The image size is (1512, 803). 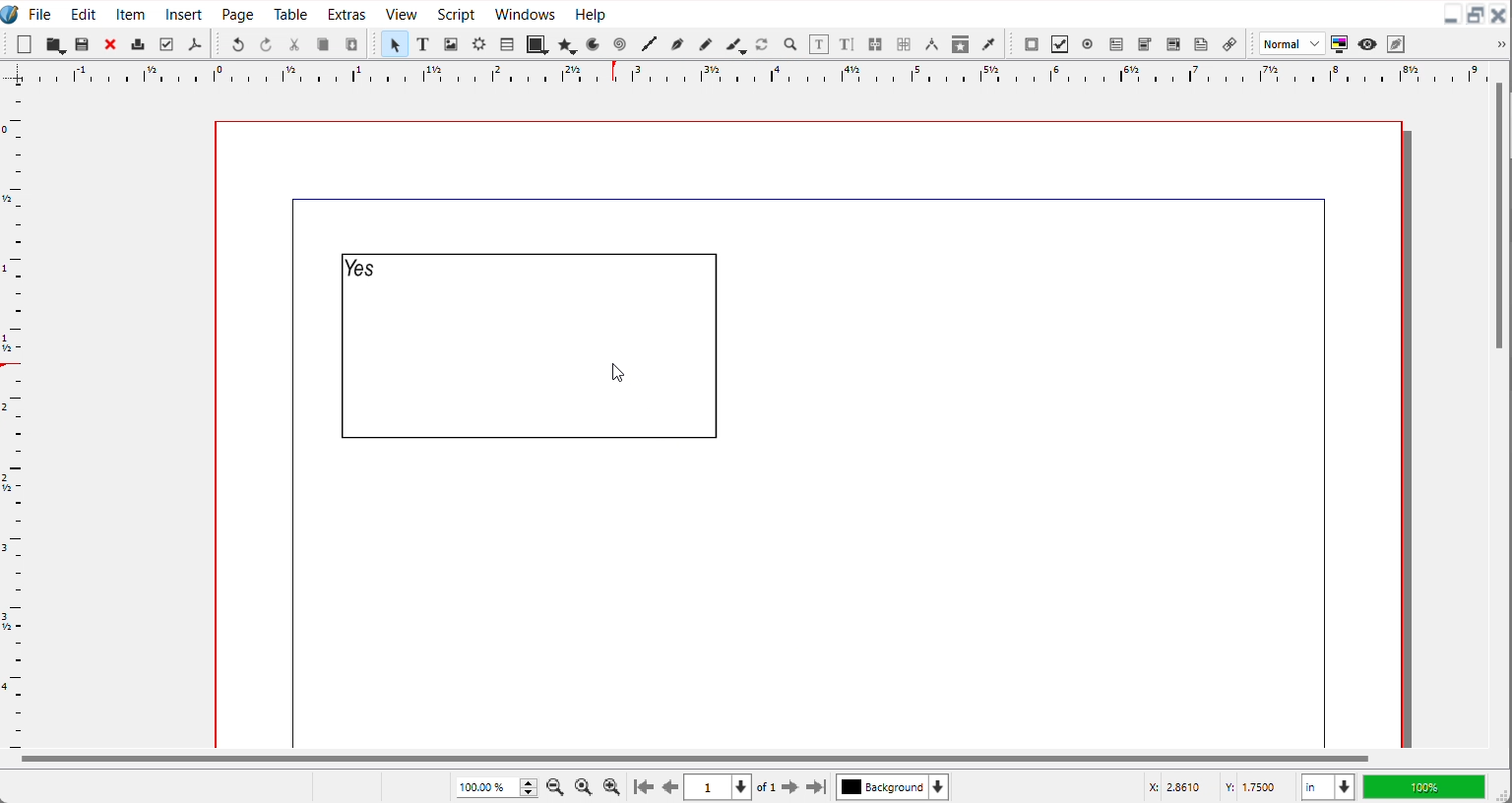 I want to click on Image Frame, so click(x=451, y=43).